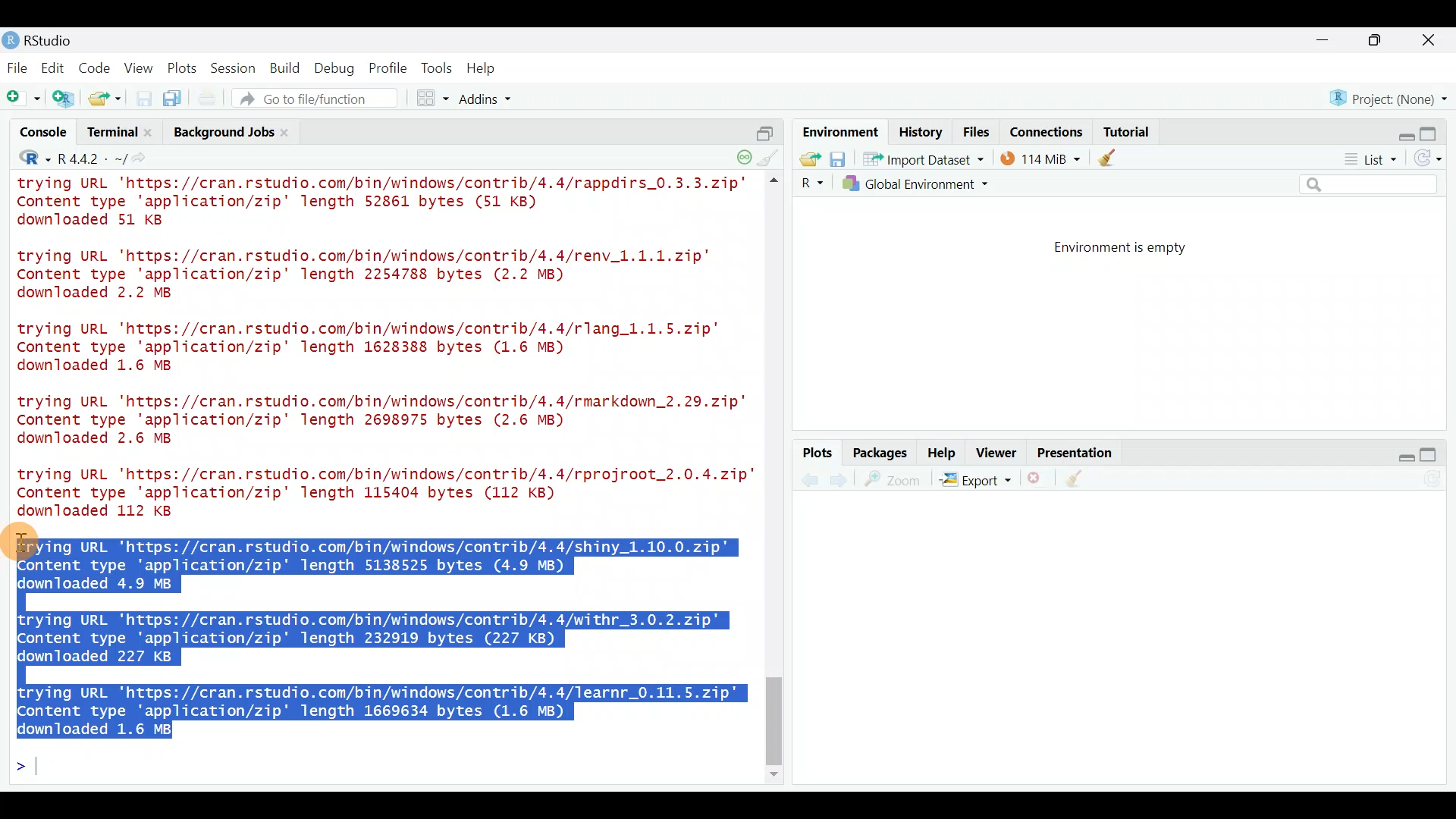  Describe the element at coordinates (1125, 129) in the screenshot. I see `Tutorial` at that location.